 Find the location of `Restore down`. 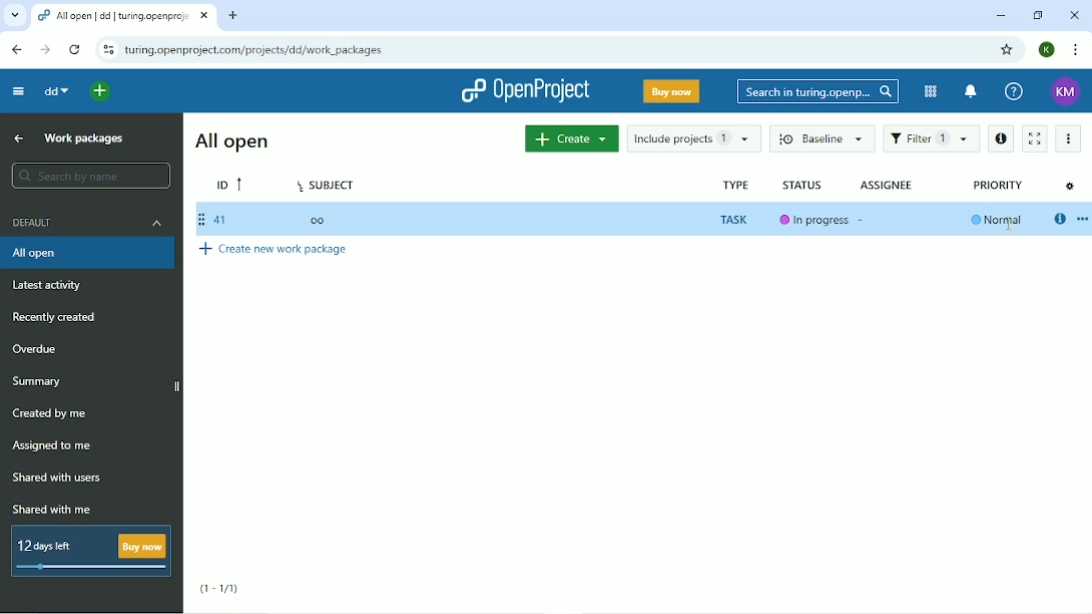

Restore down is located at coordinates (1039, 16).